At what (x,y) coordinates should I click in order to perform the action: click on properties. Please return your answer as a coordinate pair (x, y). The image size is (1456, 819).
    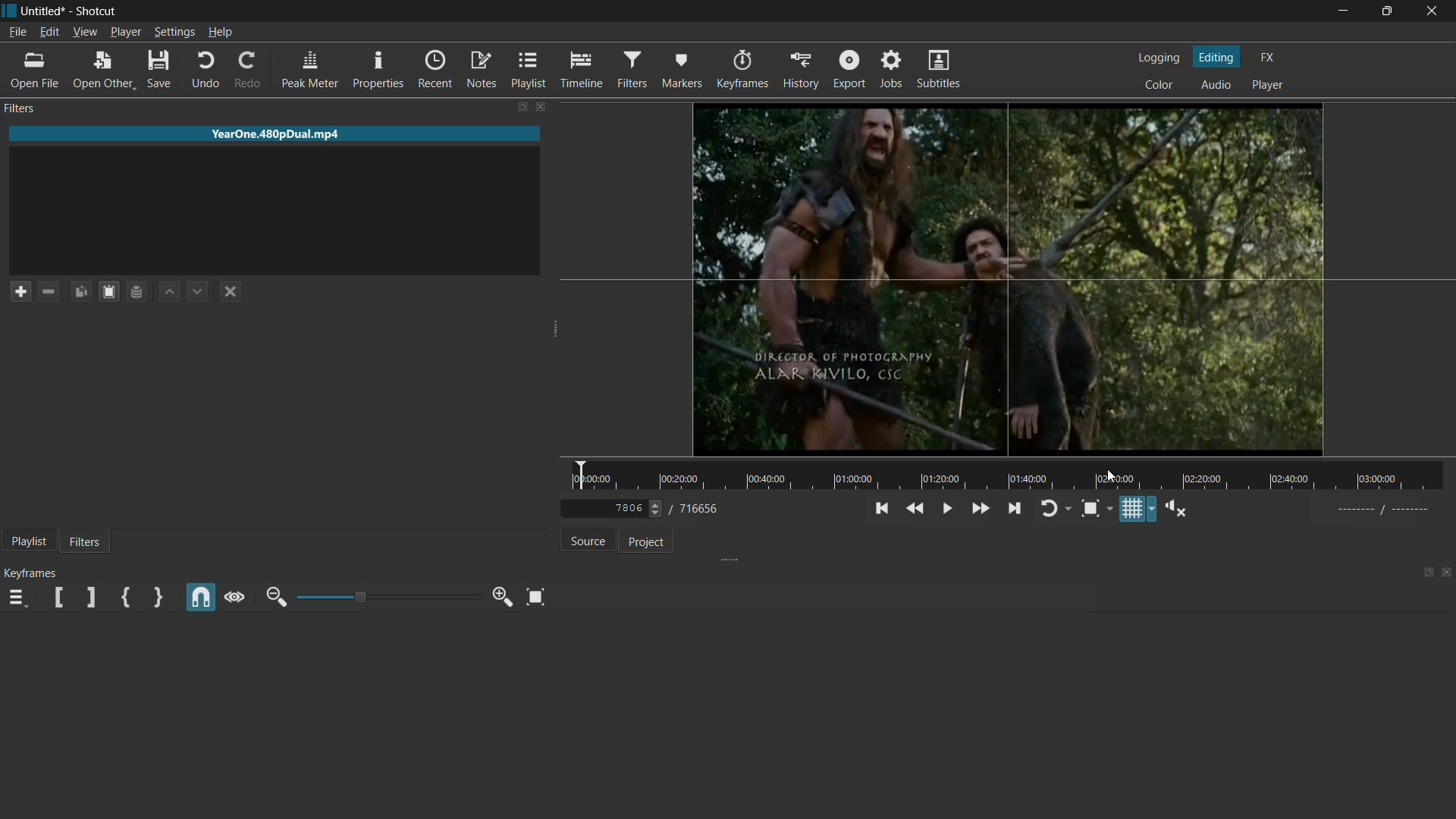
    Looking at the image, I should click on (378, 69).